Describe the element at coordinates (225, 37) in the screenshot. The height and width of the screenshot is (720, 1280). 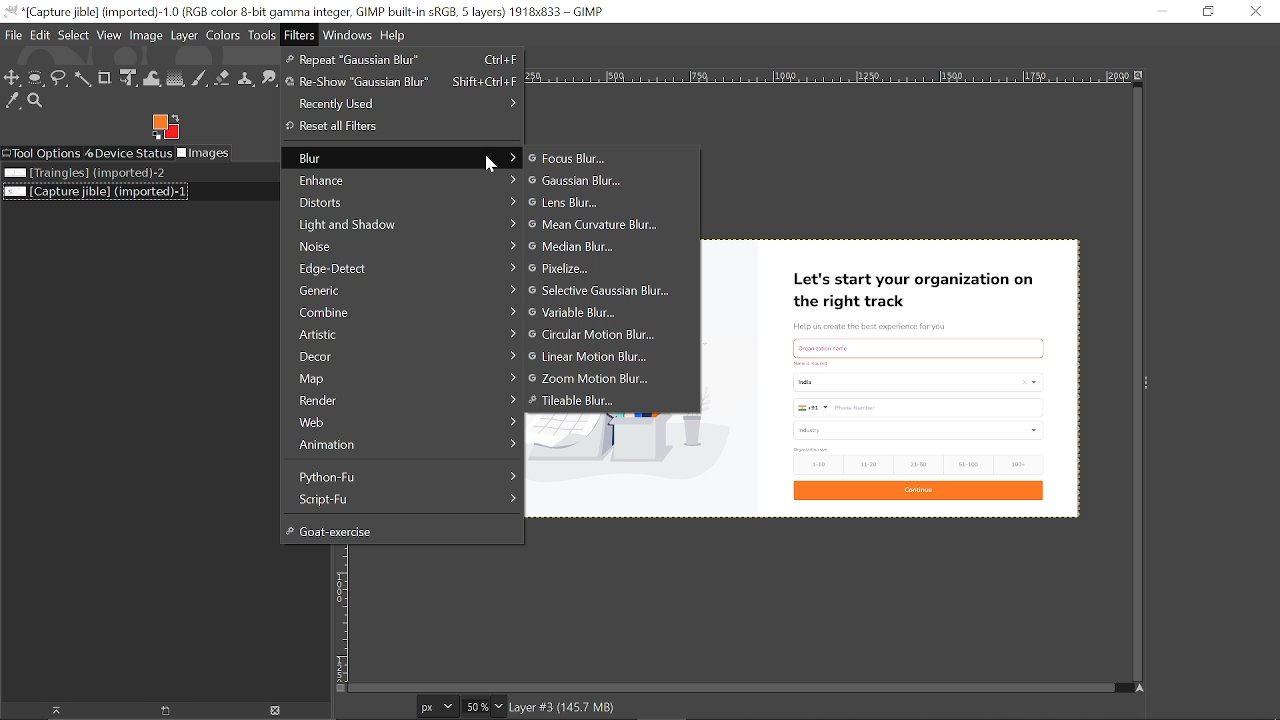
I see `Colors` at that location.